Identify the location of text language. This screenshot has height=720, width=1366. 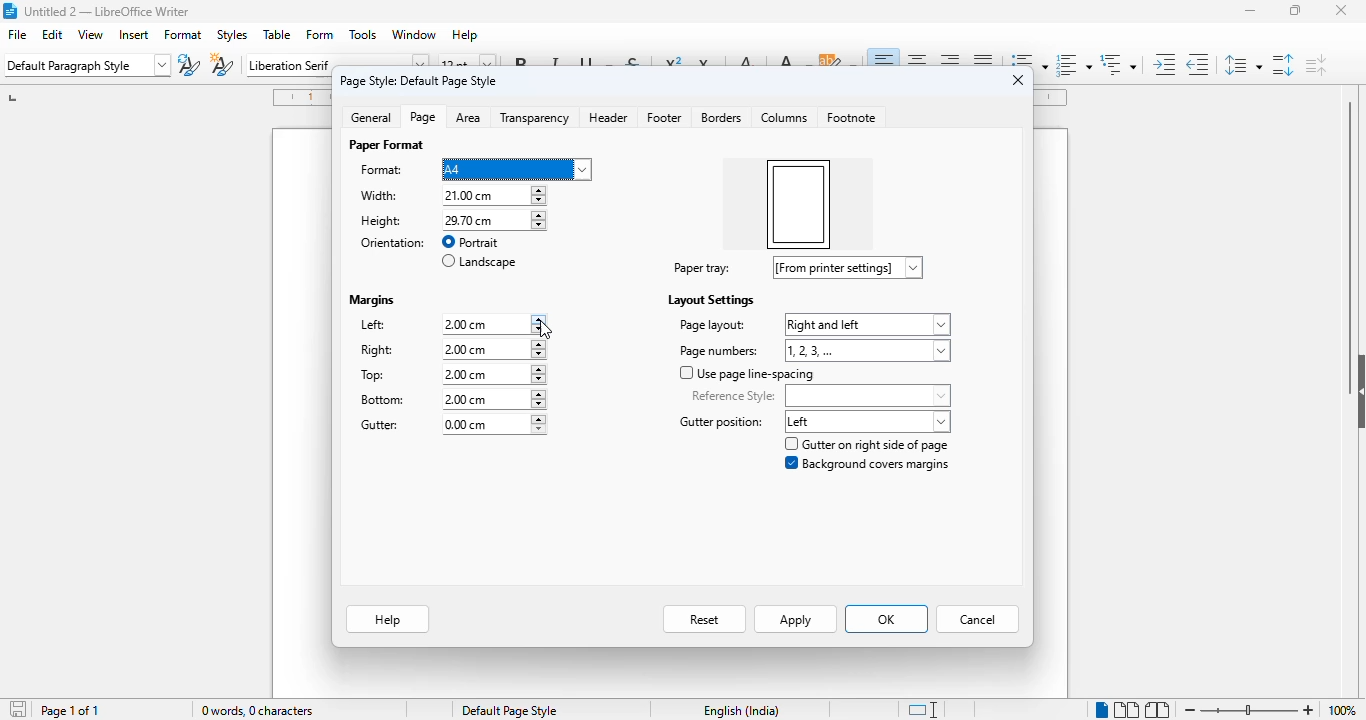
(741, 710).